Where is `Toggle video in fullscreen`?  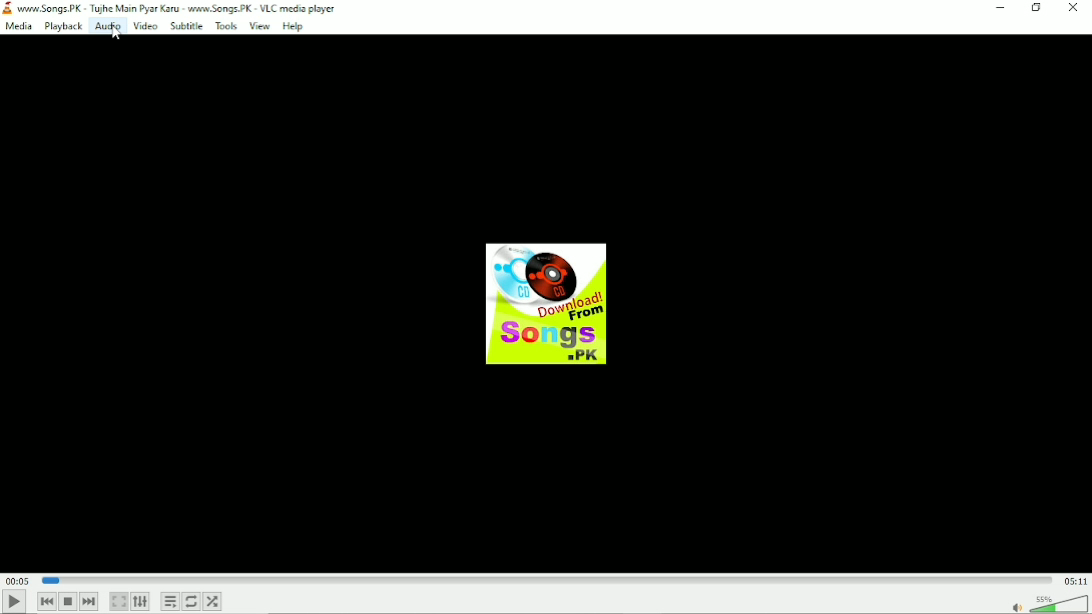
Toggle video in fullscreen is located at coordinates (118, 602).